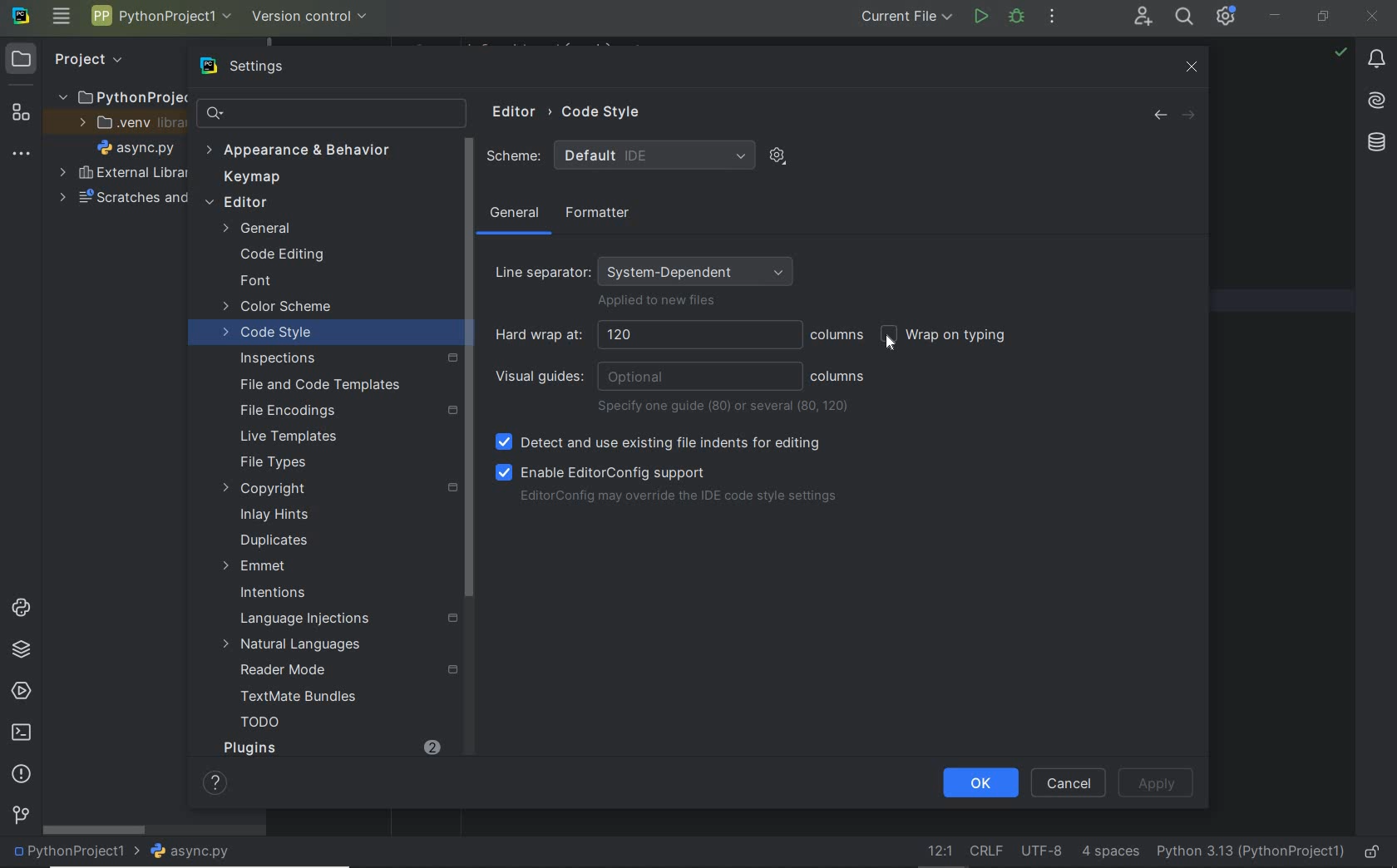  I want to click on OK, so click(980, 782).